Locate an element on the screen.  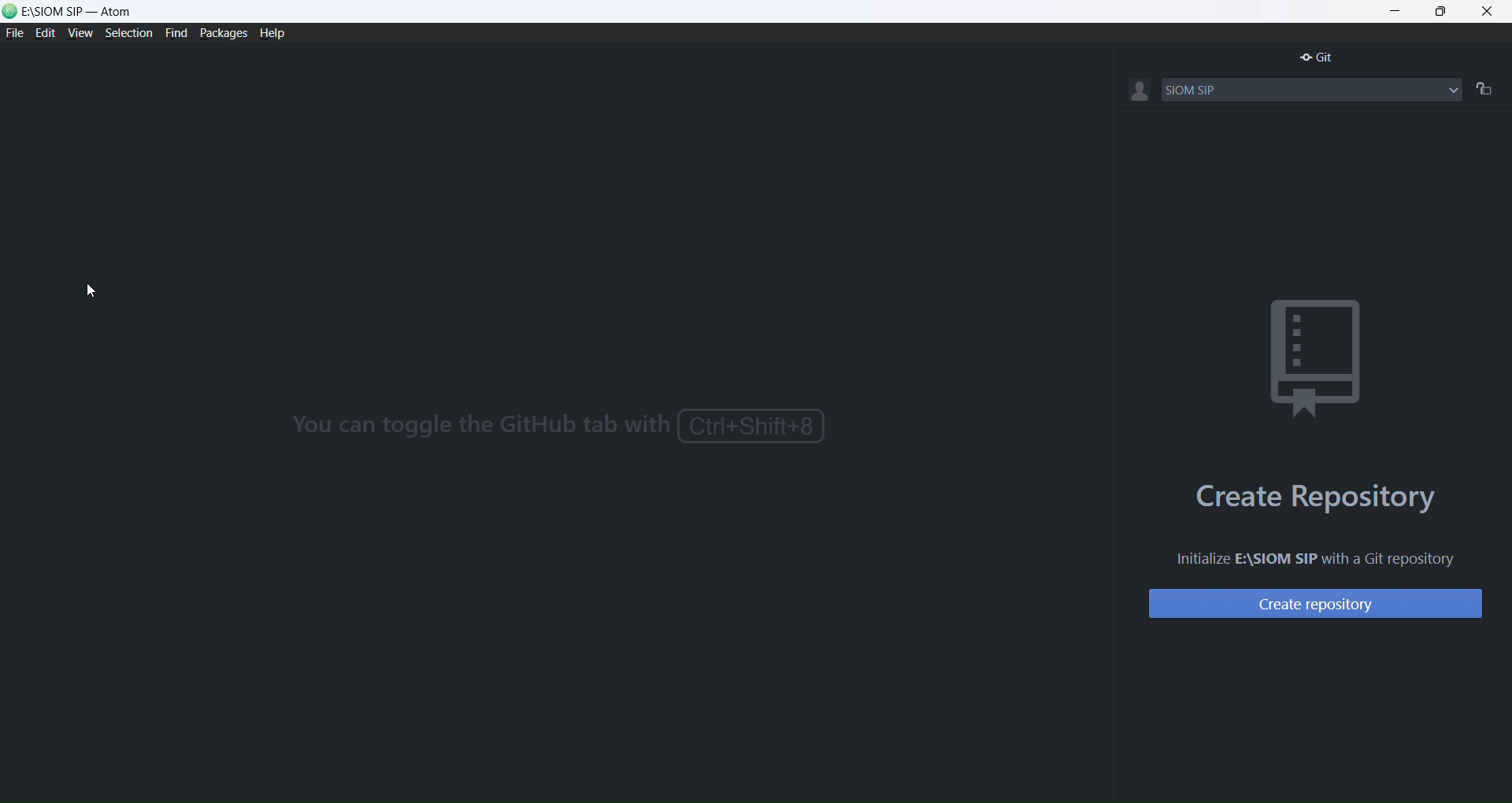
edit is located at coordinates (46, 35).